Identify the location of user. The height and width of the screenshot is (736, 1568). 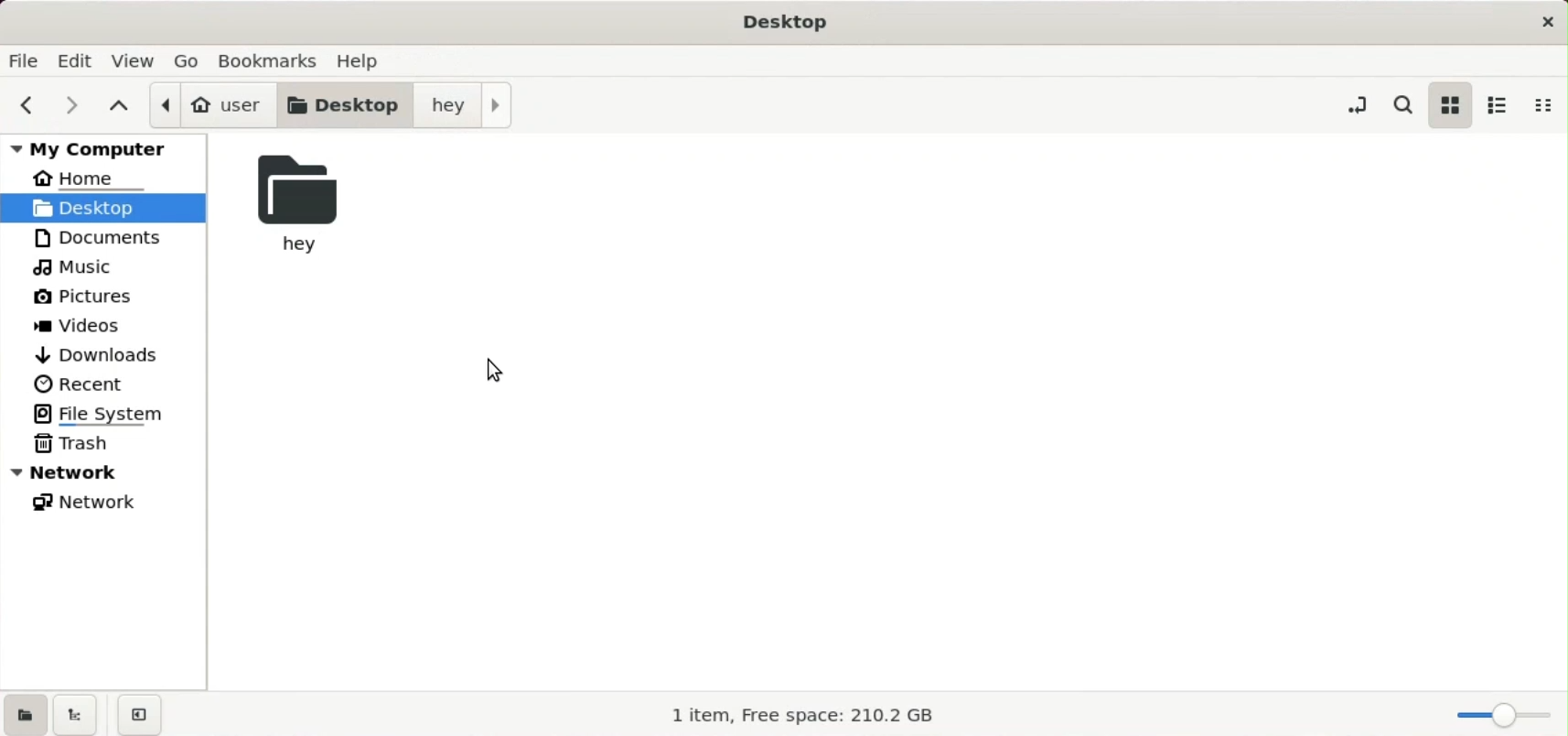
(213, 103).